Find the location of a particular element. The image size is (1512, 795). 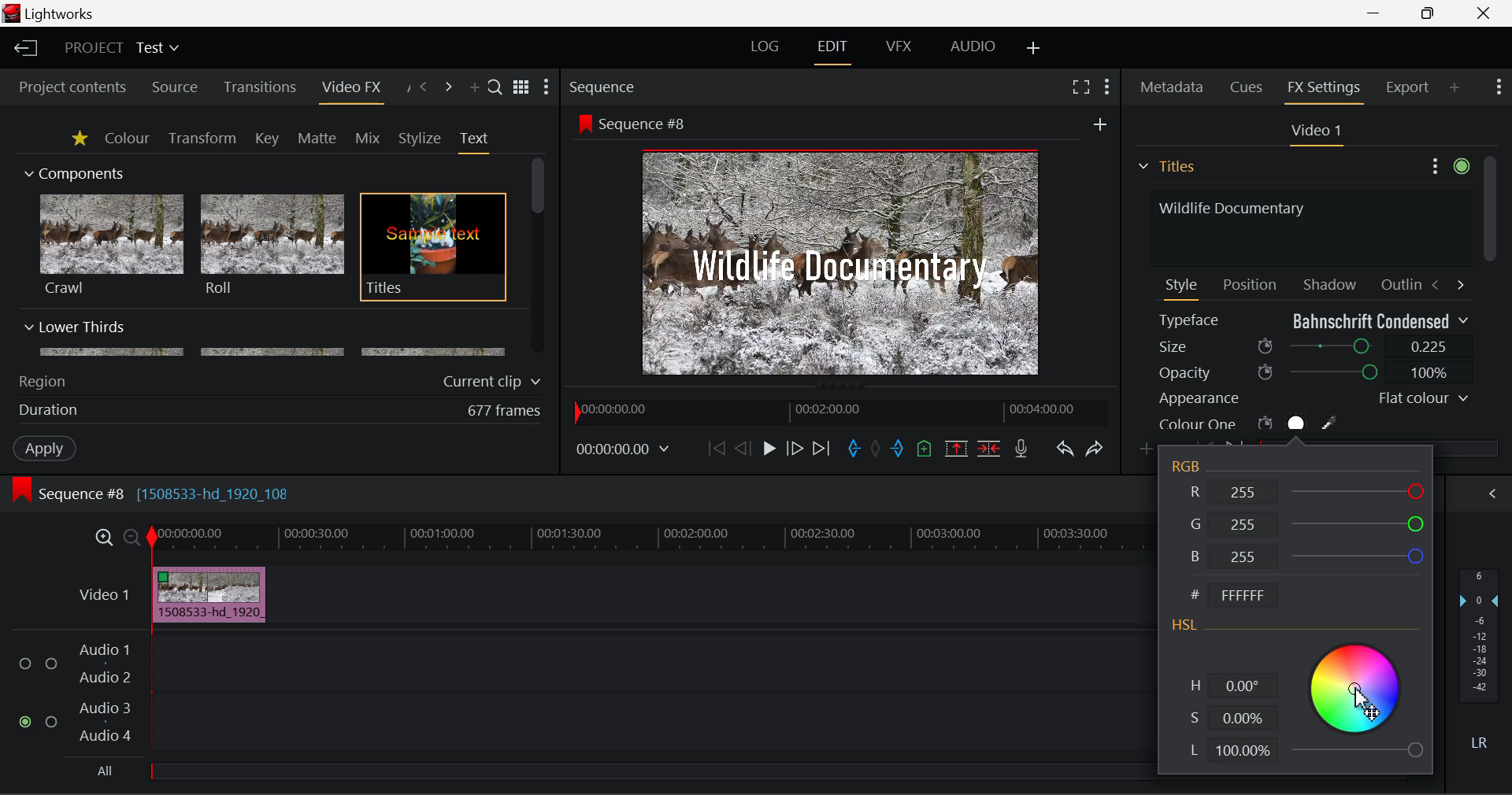

Roll is located at coordinates (271, 246).